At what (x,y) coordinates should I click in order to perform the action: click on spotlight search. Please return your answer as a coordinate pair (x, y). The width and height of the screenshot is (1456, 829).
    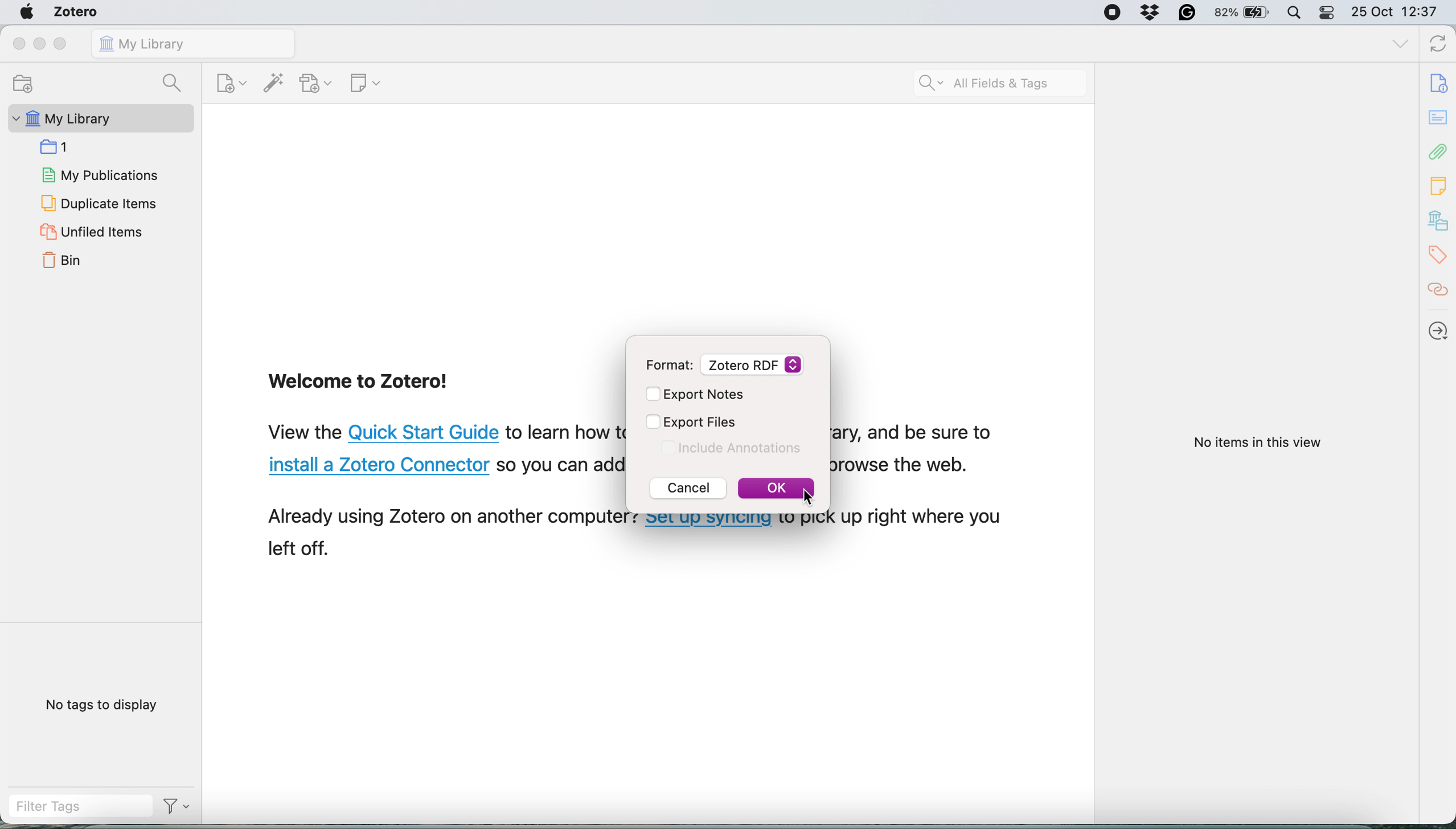
    Looking at the image, I should click on (1295, 13).